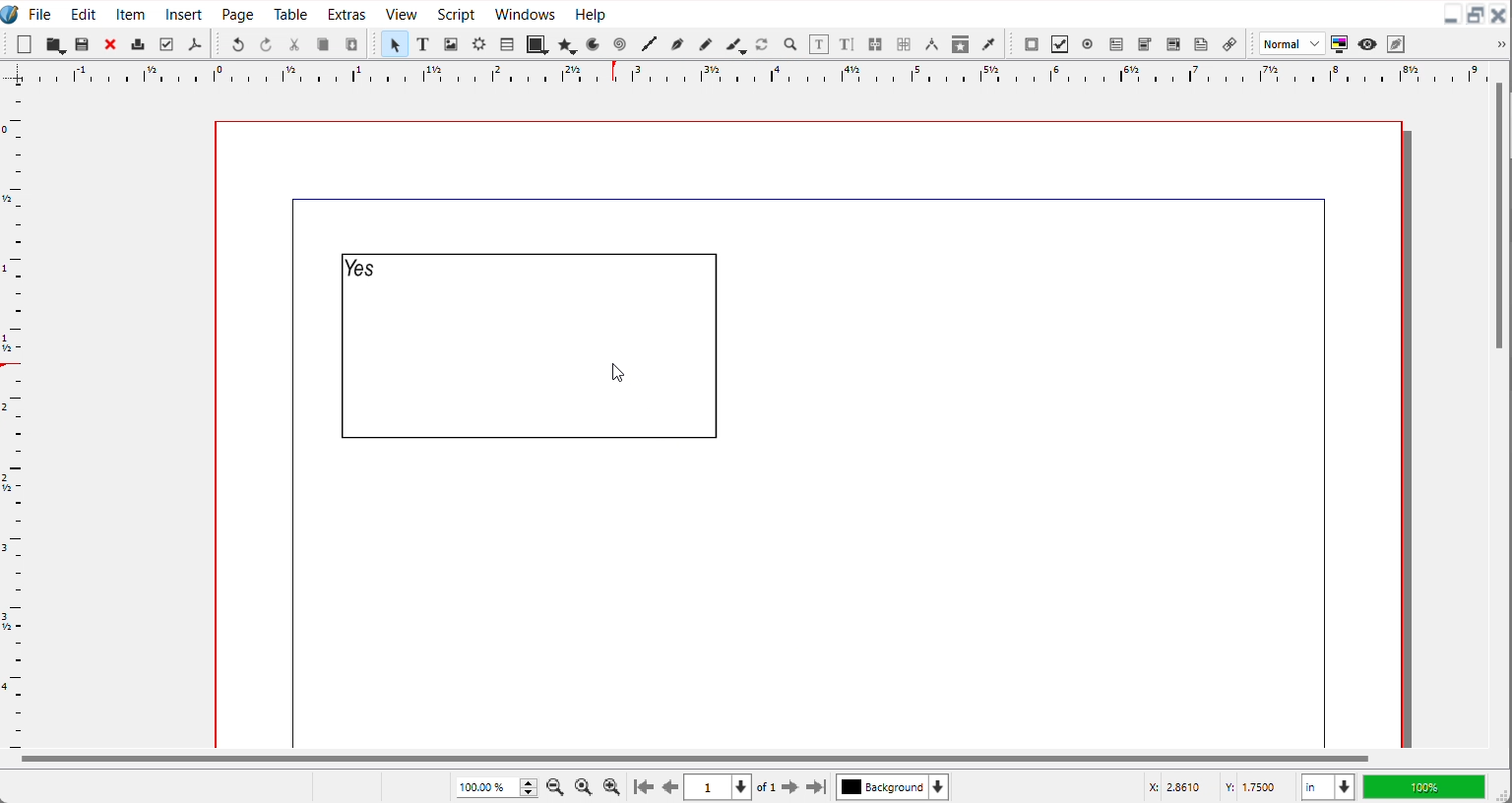  I want to click on File, so click(40, 13).